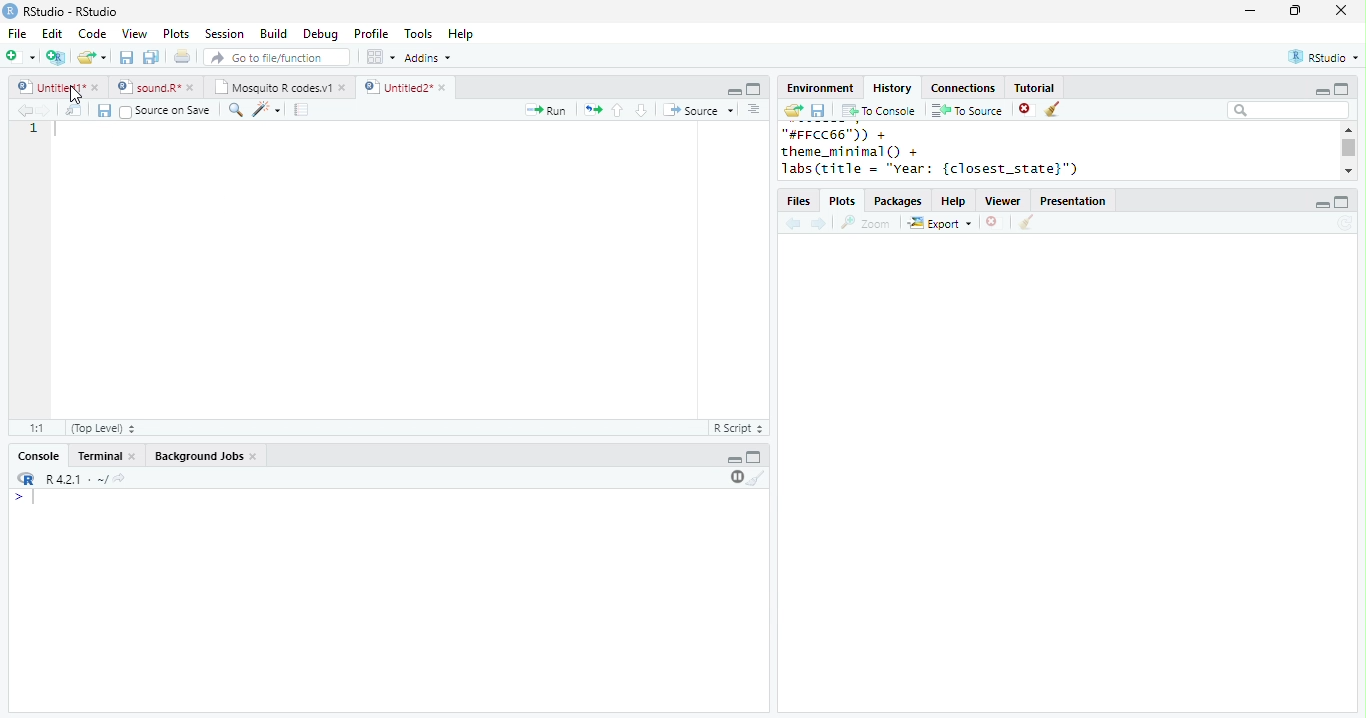  I want to click on Build, so click(273, 34).